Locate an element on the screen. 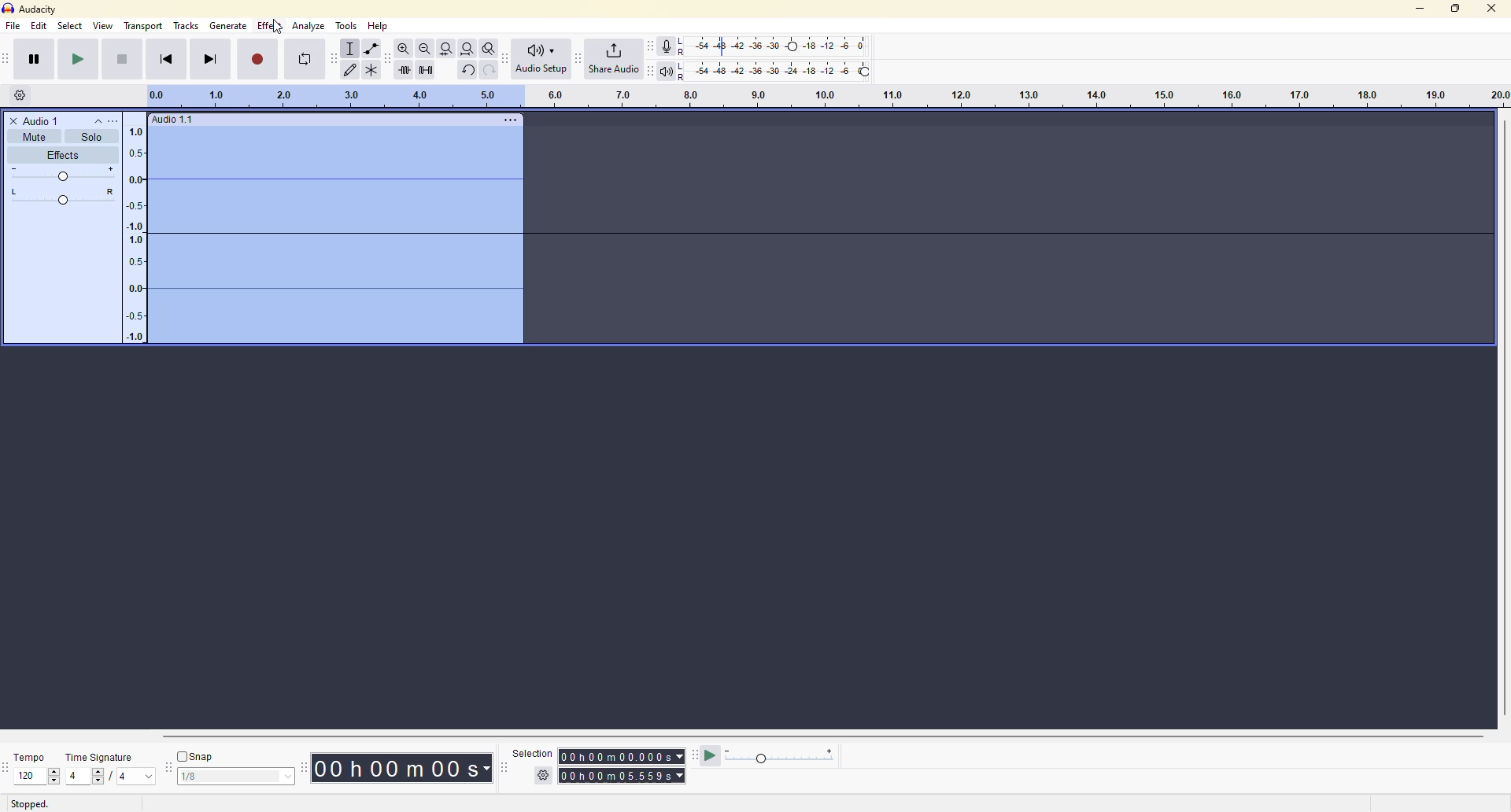 This screenshot has width=1511, height=812. envelope tool is located at coordinates (371, 49).